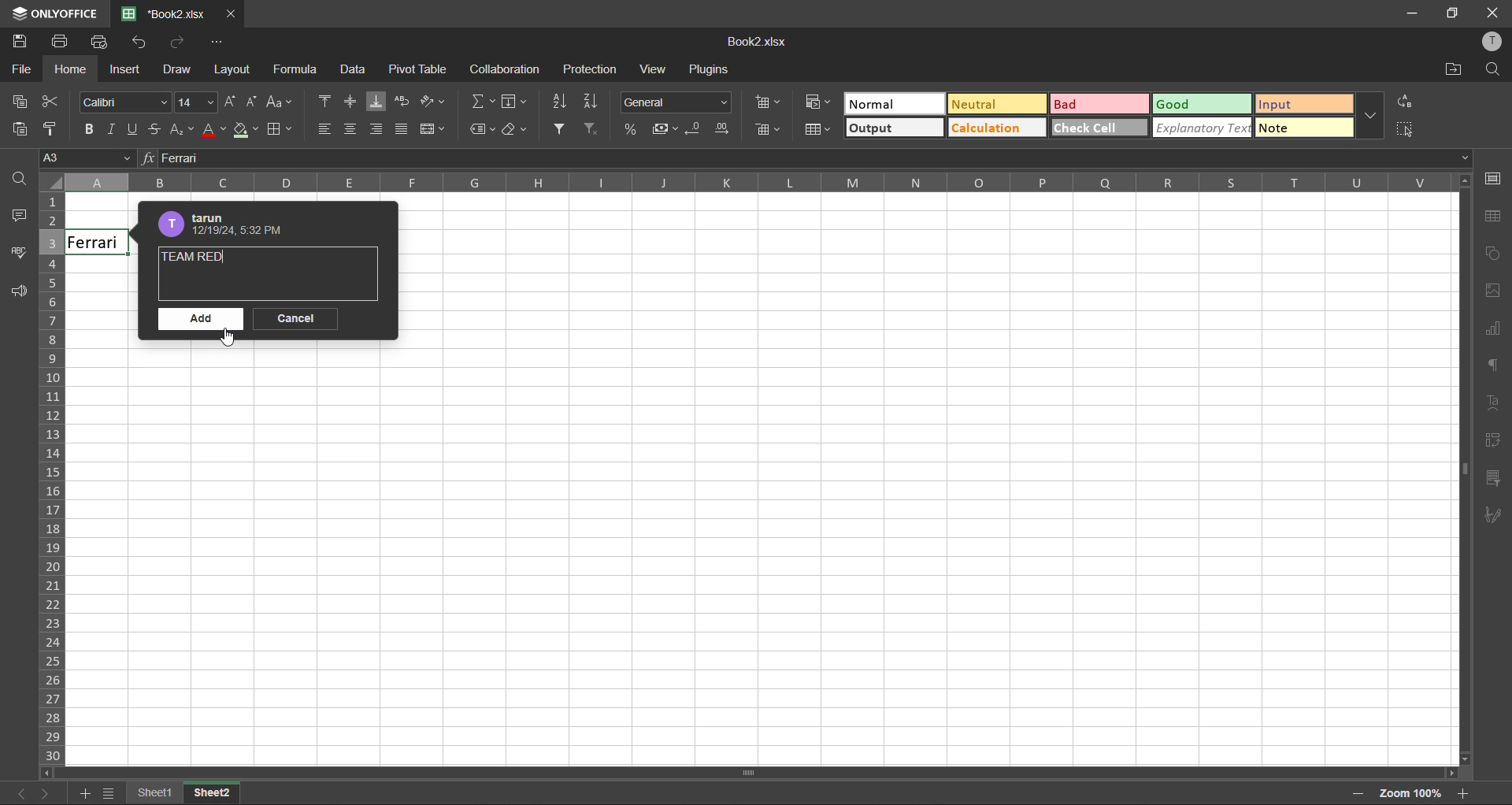 The image size is (1512, 805). Describe the element at coordinates (1305, 130) in the screenshot. I see `note` at that location.